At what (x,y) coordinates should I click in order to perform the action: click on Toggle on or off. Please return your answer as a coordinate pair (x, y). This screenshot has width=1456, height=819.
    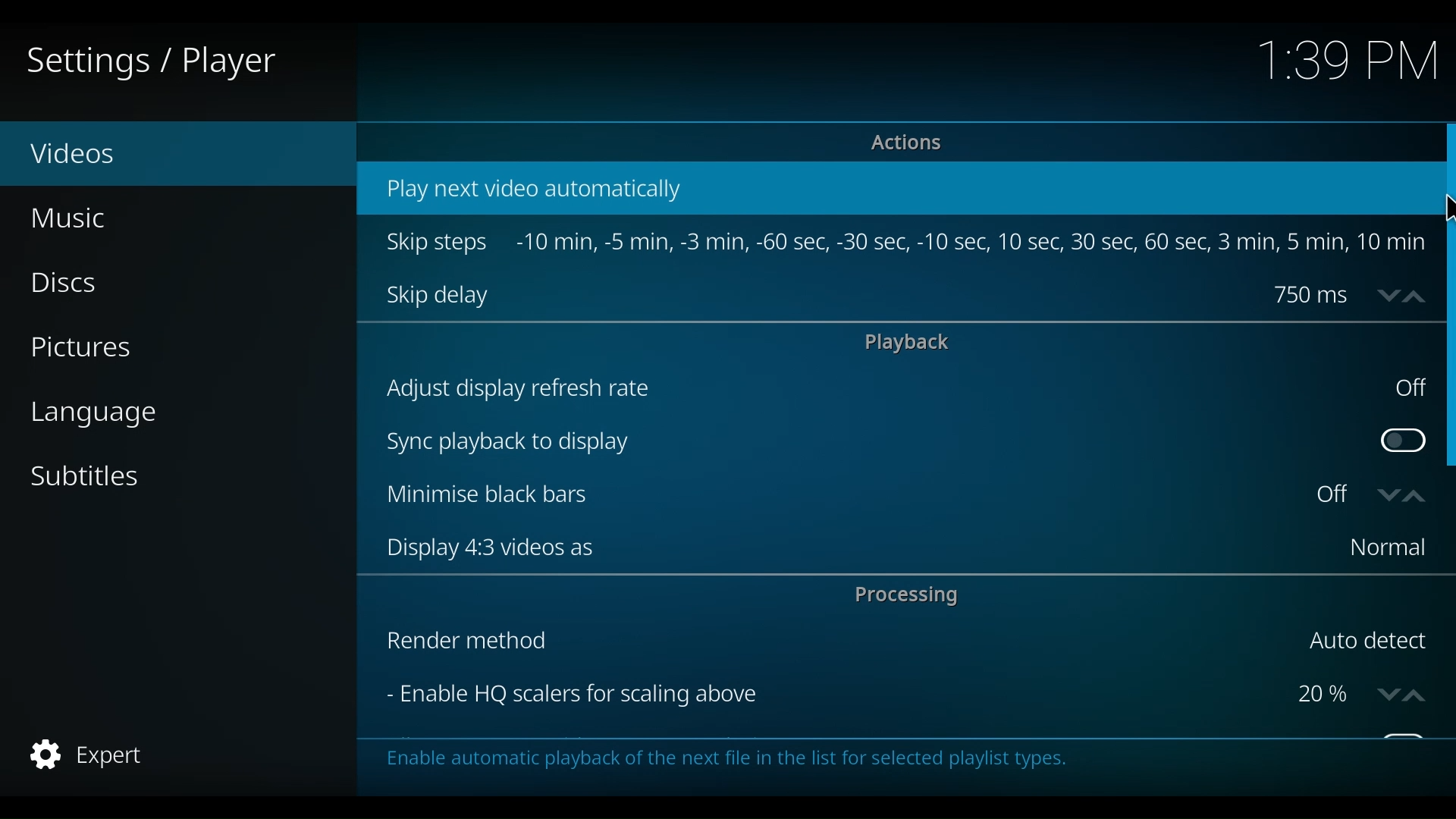
    Looking at the image, I should click on (1345, 495).